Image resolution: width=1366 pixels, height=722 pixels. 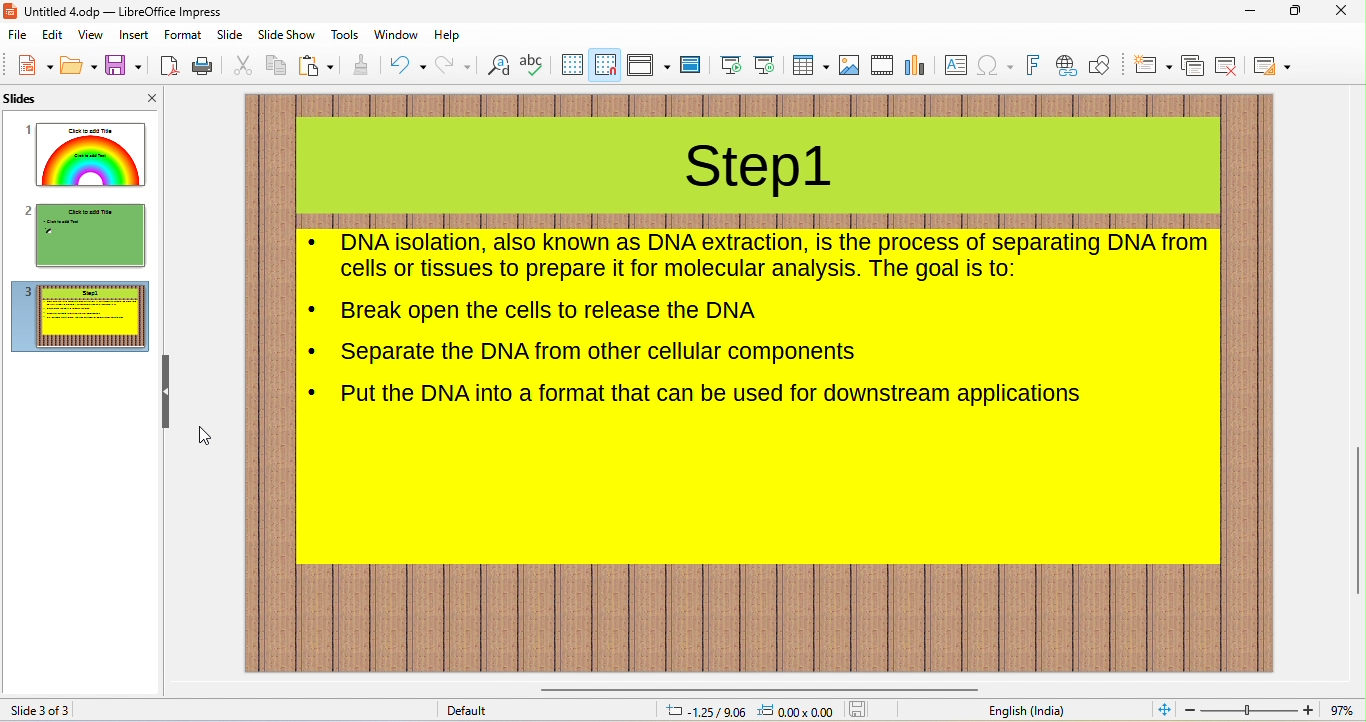 What do you see at coordinates (143, 97) in the screenshot?
I see `close` at bounding box center [143, 97].